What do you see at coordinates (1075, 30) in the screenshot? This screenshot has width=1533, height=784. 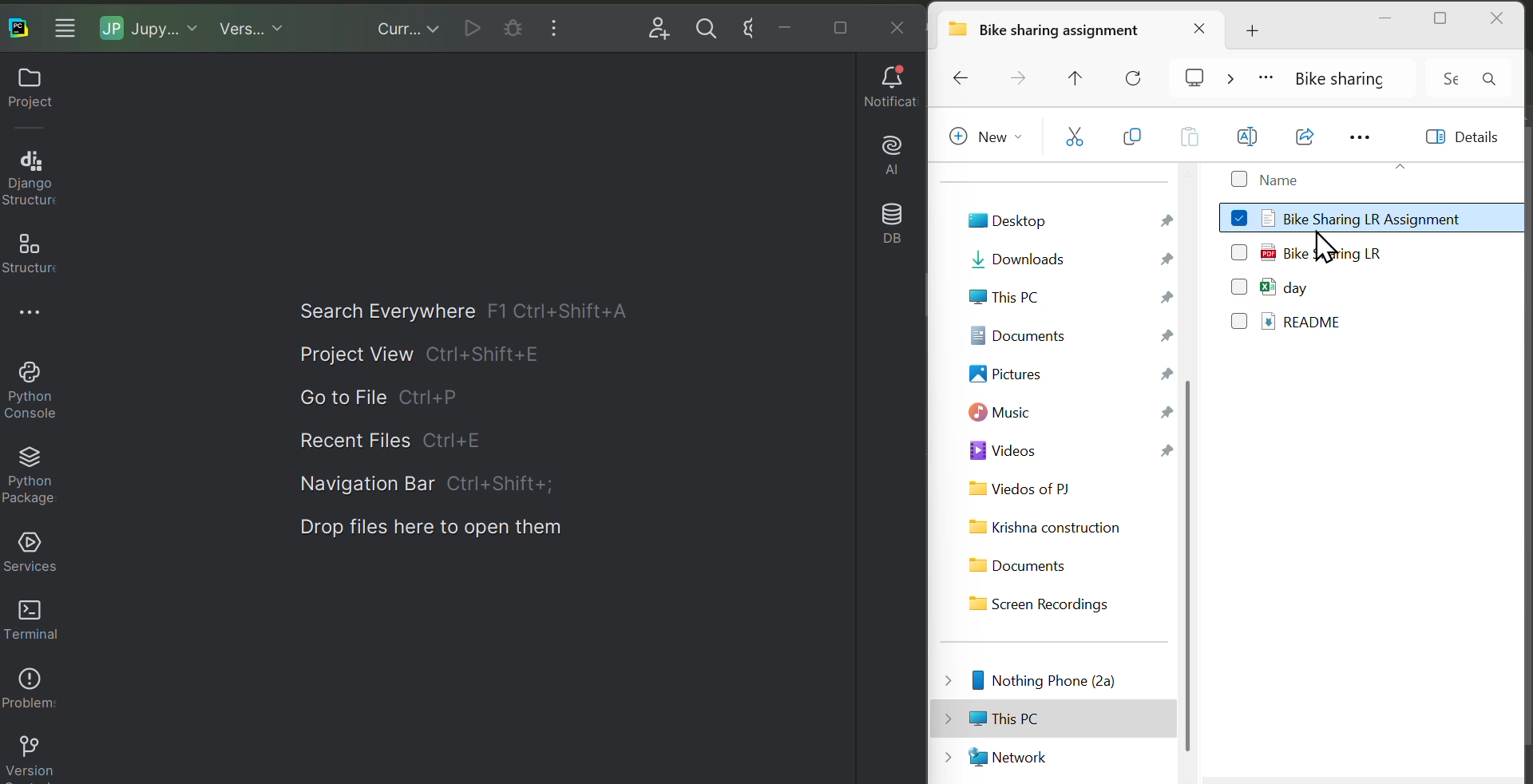 I see `Bike sharing assignment` at bounding box center [1075, 30].